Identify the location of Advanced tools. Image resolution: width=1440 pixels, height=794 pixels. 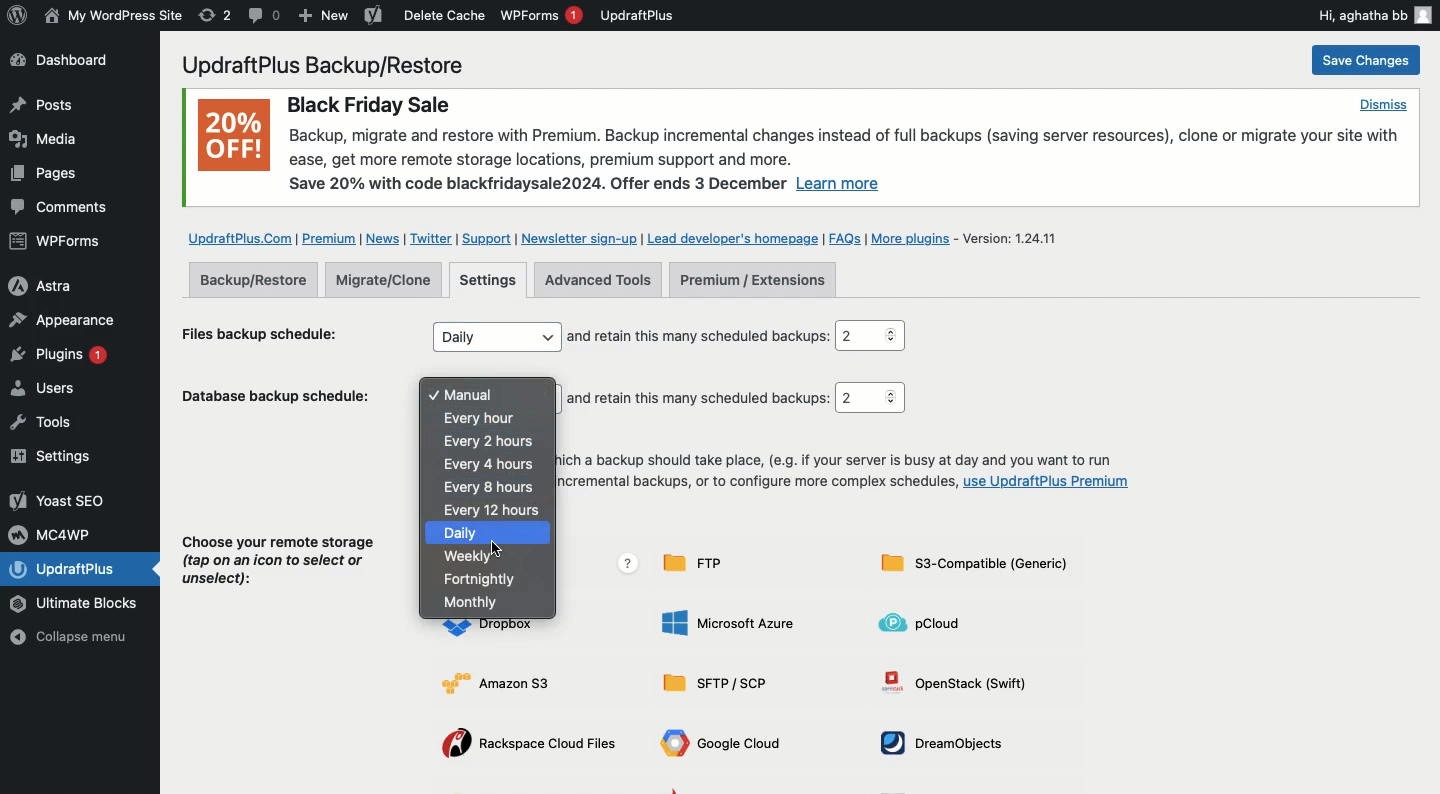
(598, 280).